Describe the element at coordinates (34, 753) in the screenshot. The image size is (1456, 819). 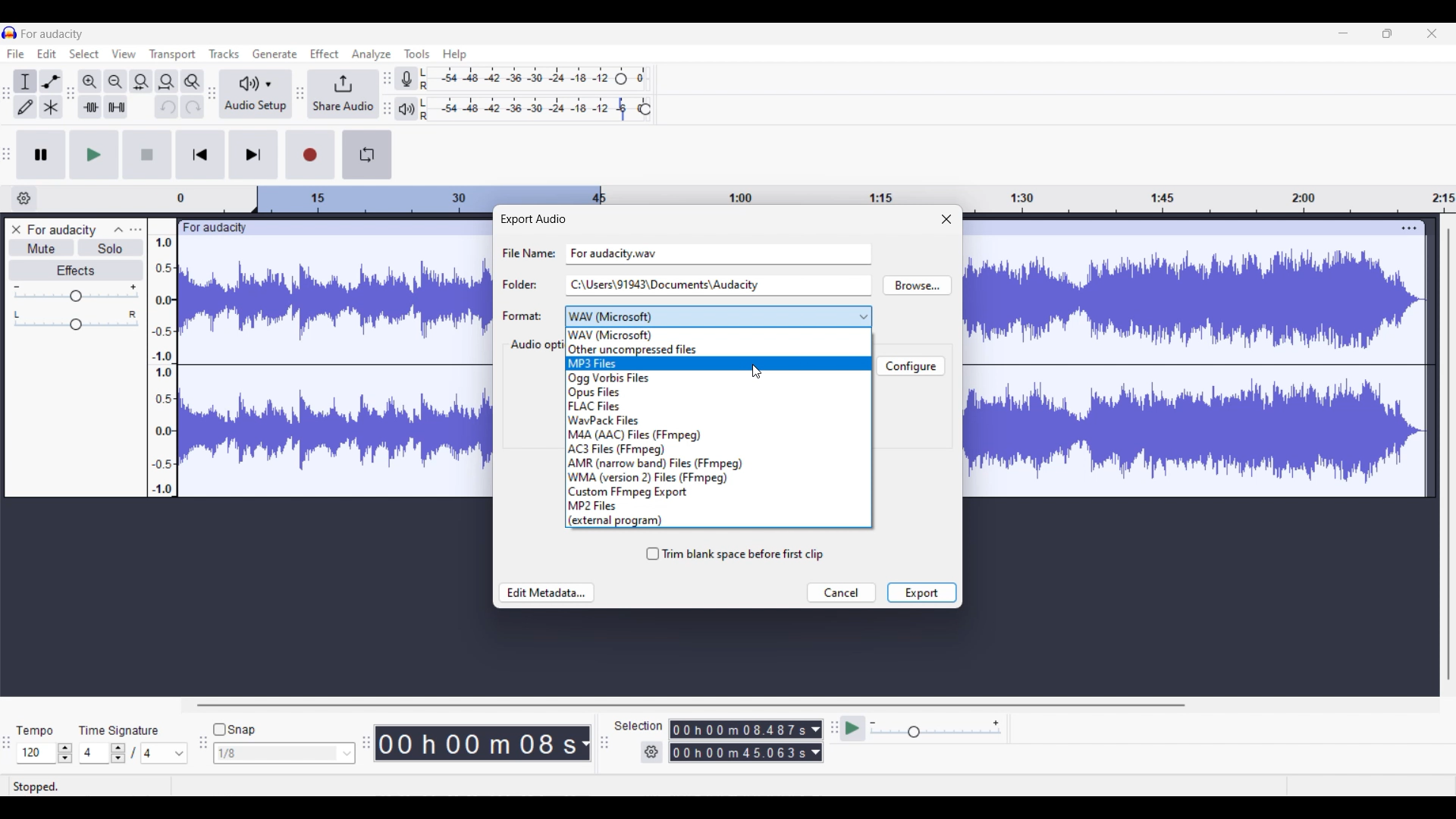
I see `Tempo options` at that location.